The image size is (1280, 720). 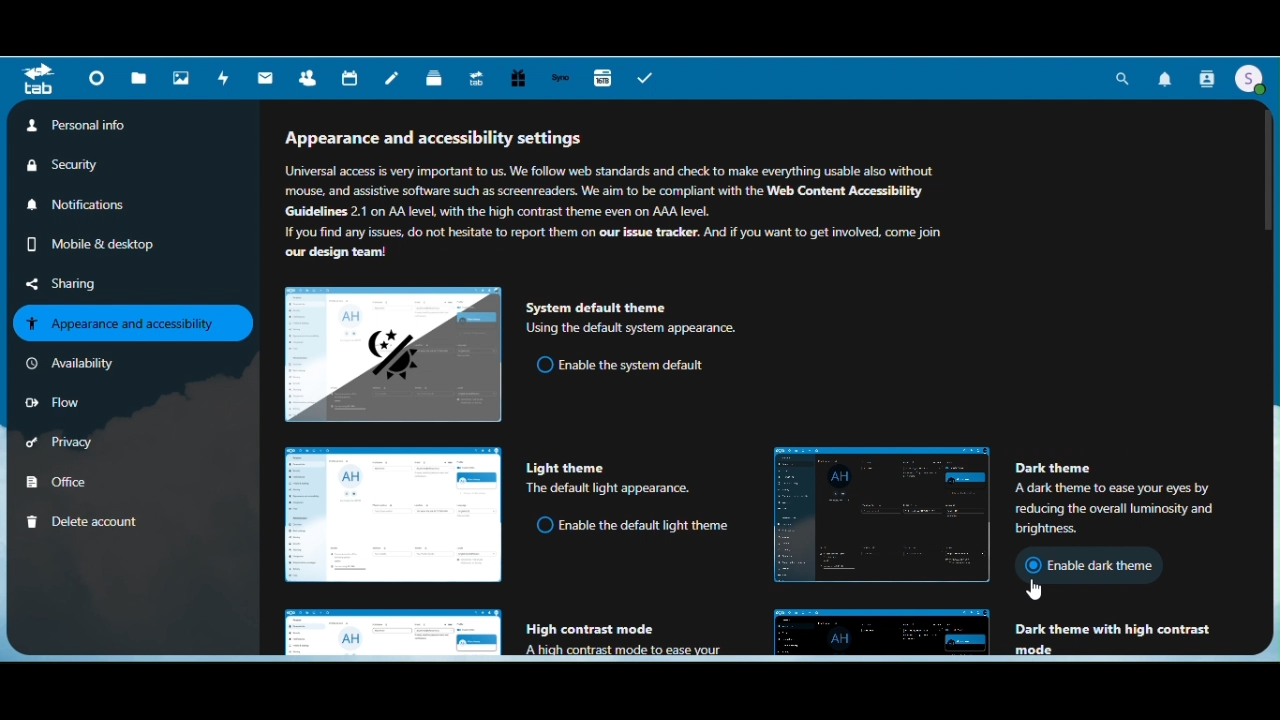 I want to click on Light theme , so click(x=509, y=511).